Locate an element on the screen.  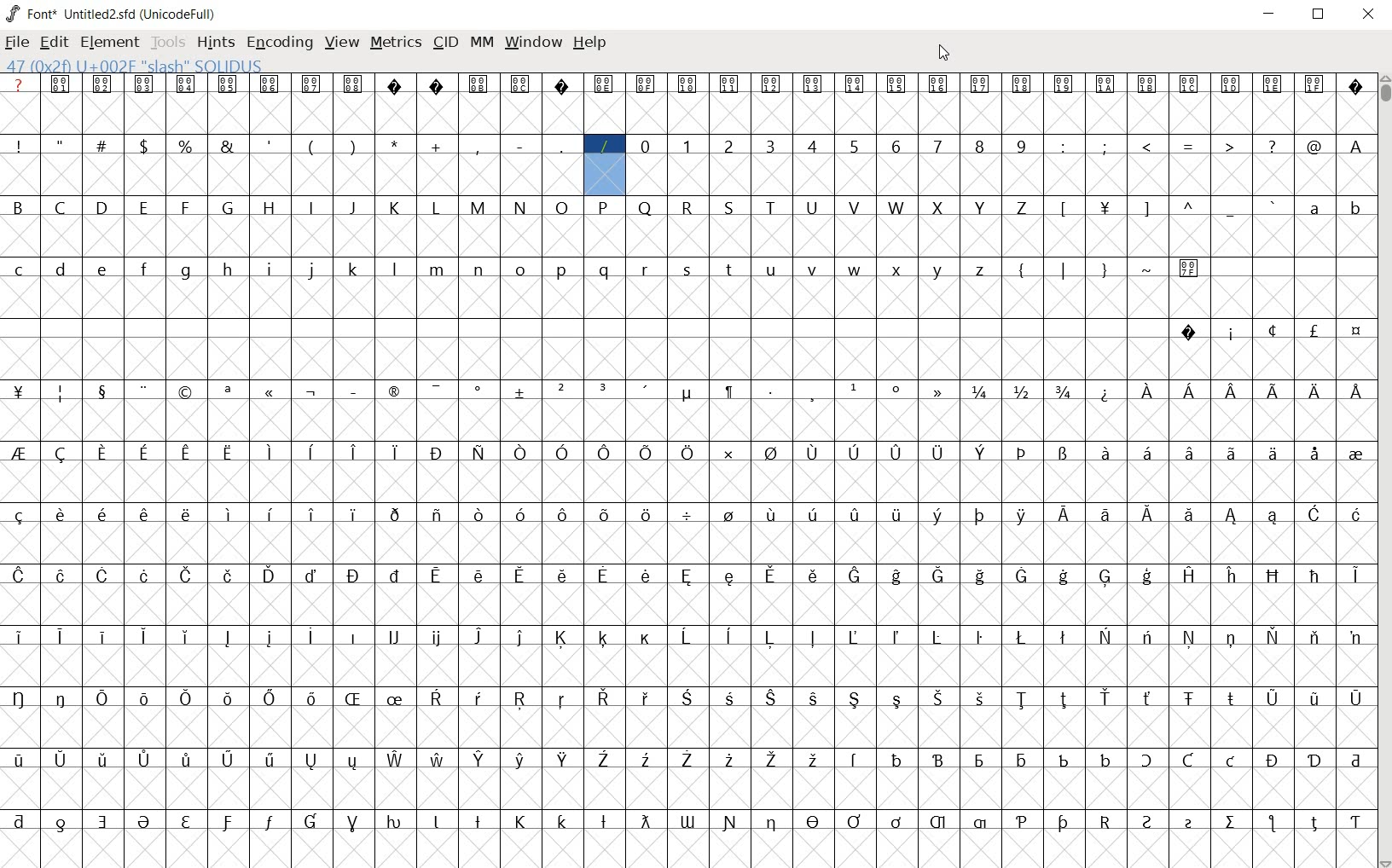
glyph is located at coordinates (1189, 391).